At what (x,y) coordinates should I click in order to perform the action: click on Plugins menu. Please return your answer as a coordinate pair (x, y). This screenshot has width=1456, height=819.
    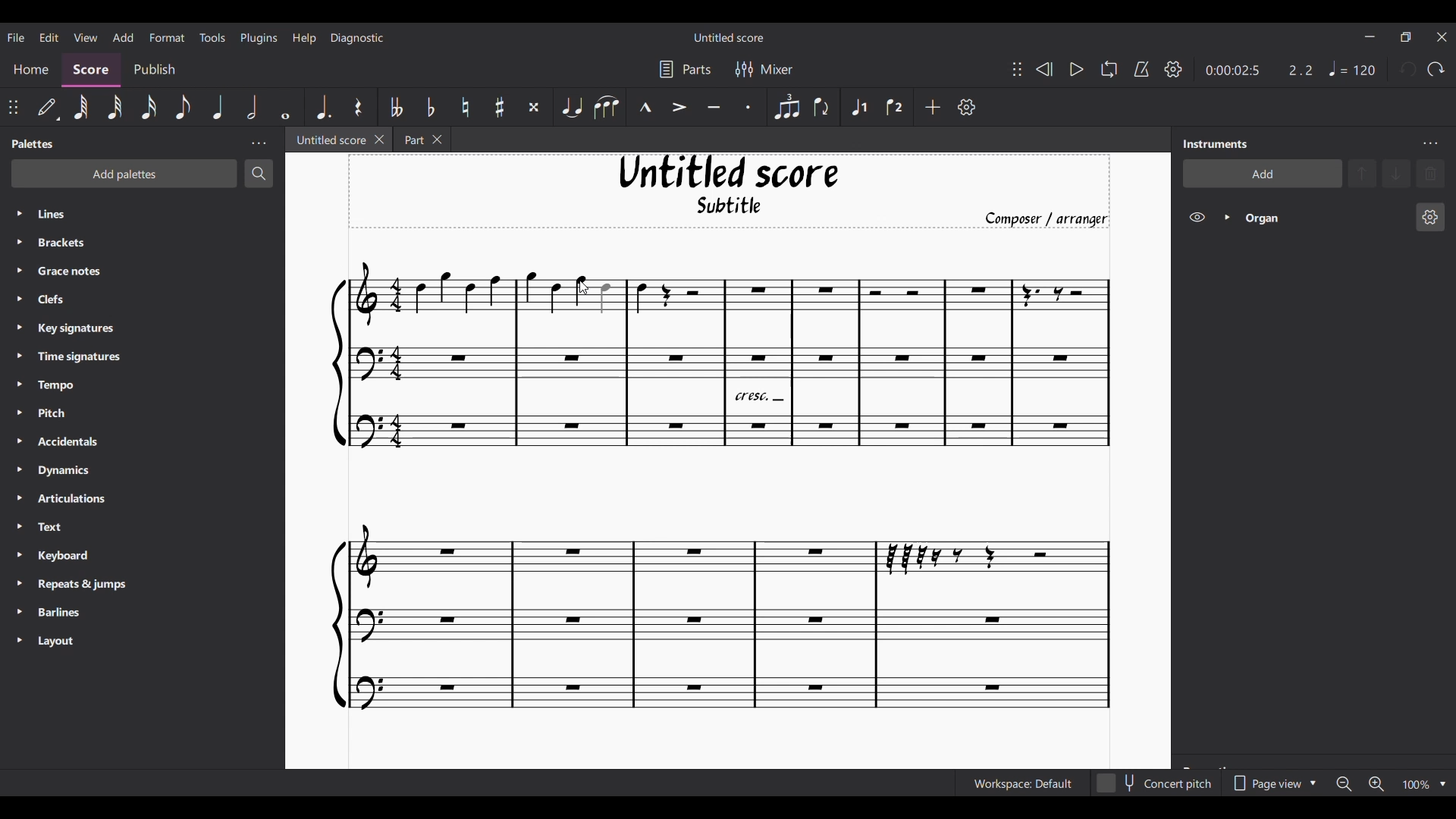
    Looking at the image, I should click on (258, 37).